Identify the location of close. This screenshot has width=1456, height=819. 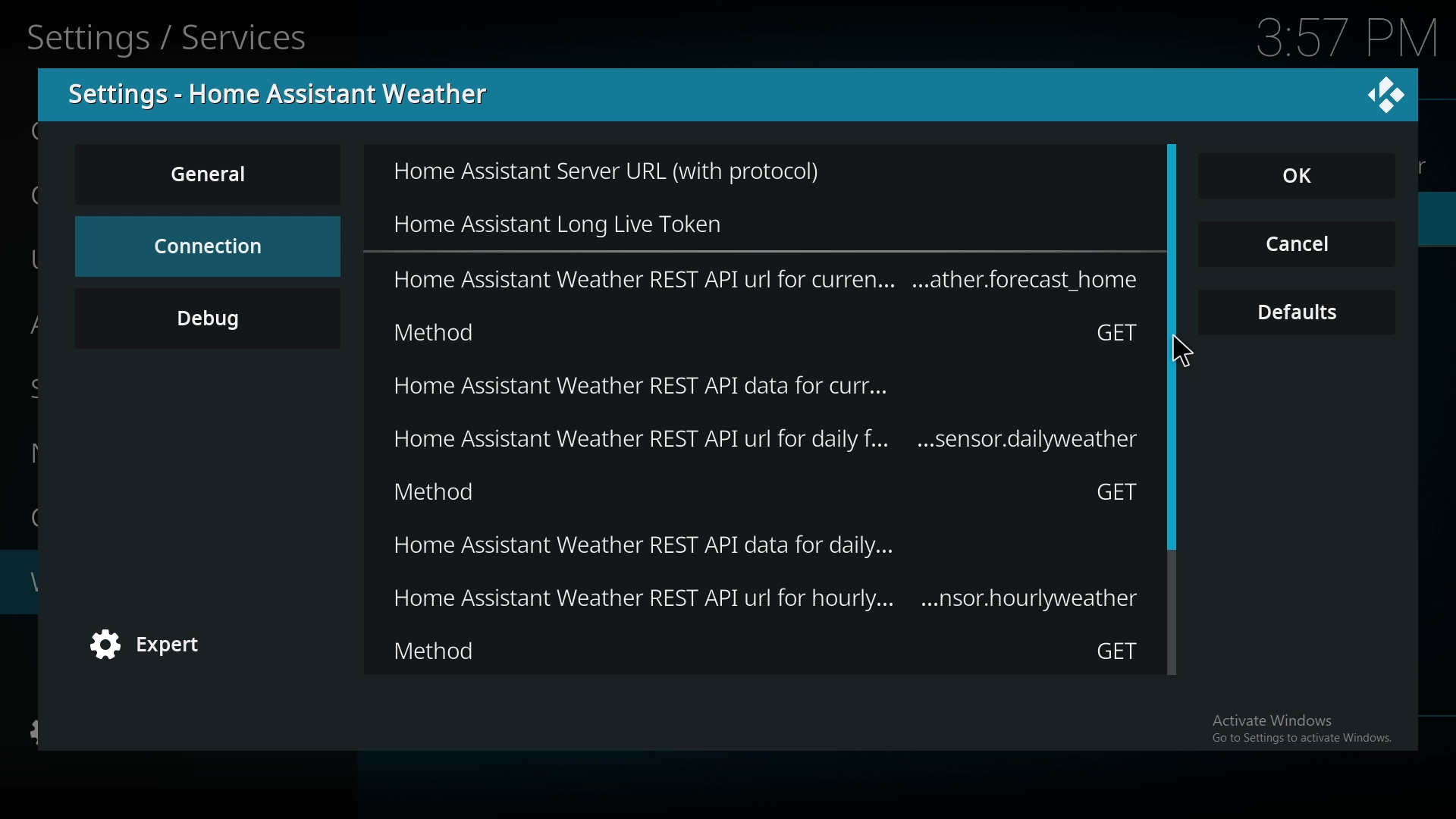
(1386, 93).